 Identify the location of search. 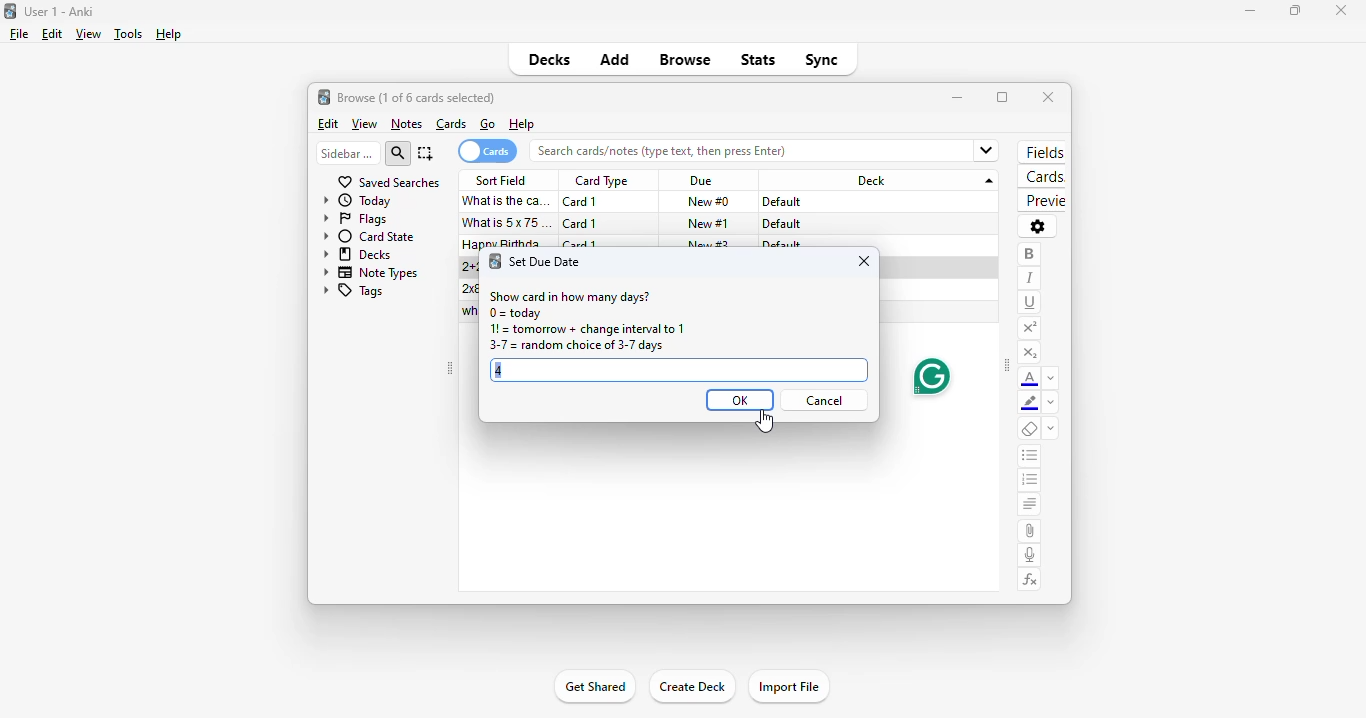
(399, 153).